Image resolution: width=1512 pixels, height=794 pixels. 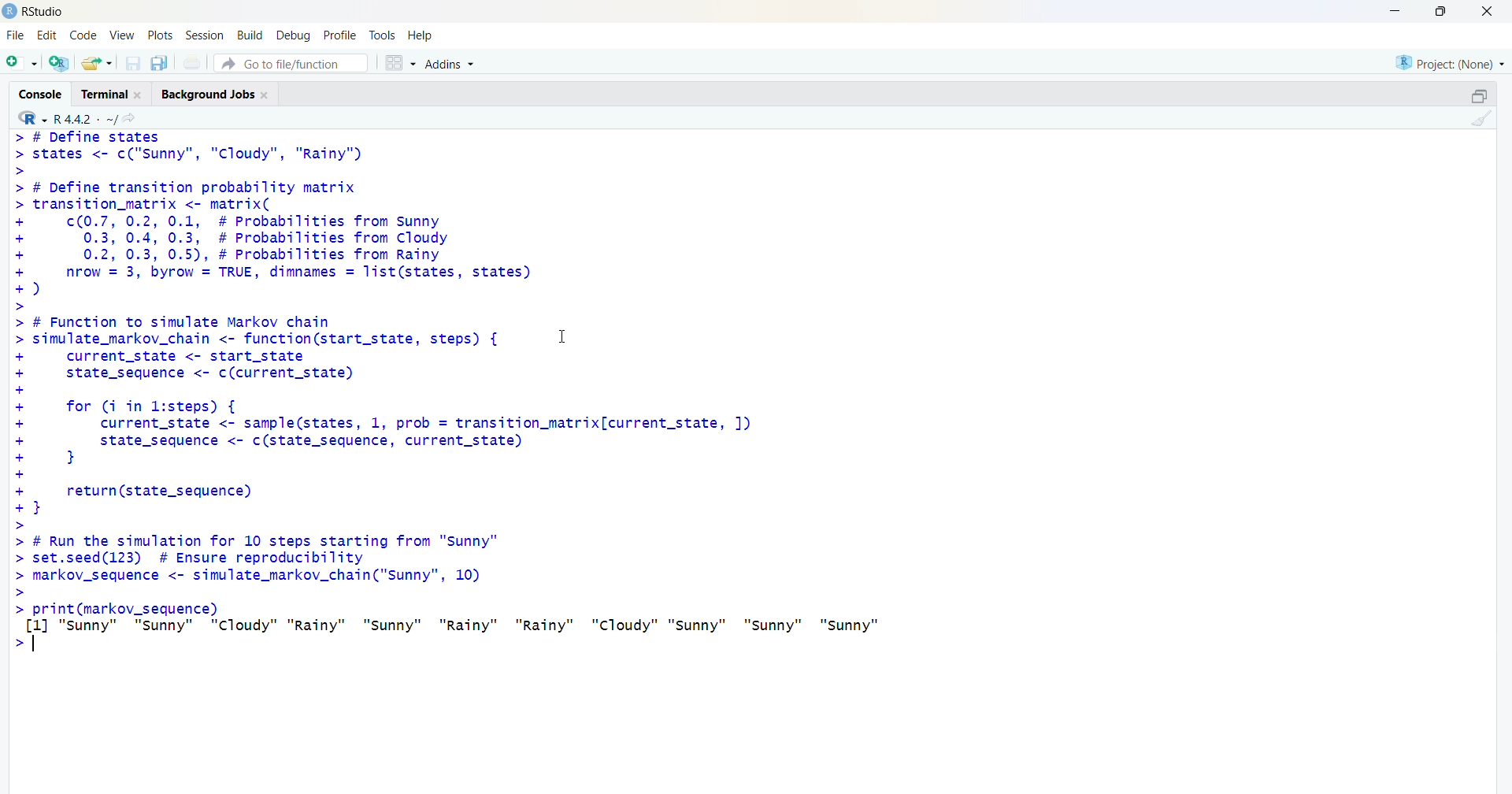 I want to click on view the current working directory, so click(x=134, y=118).